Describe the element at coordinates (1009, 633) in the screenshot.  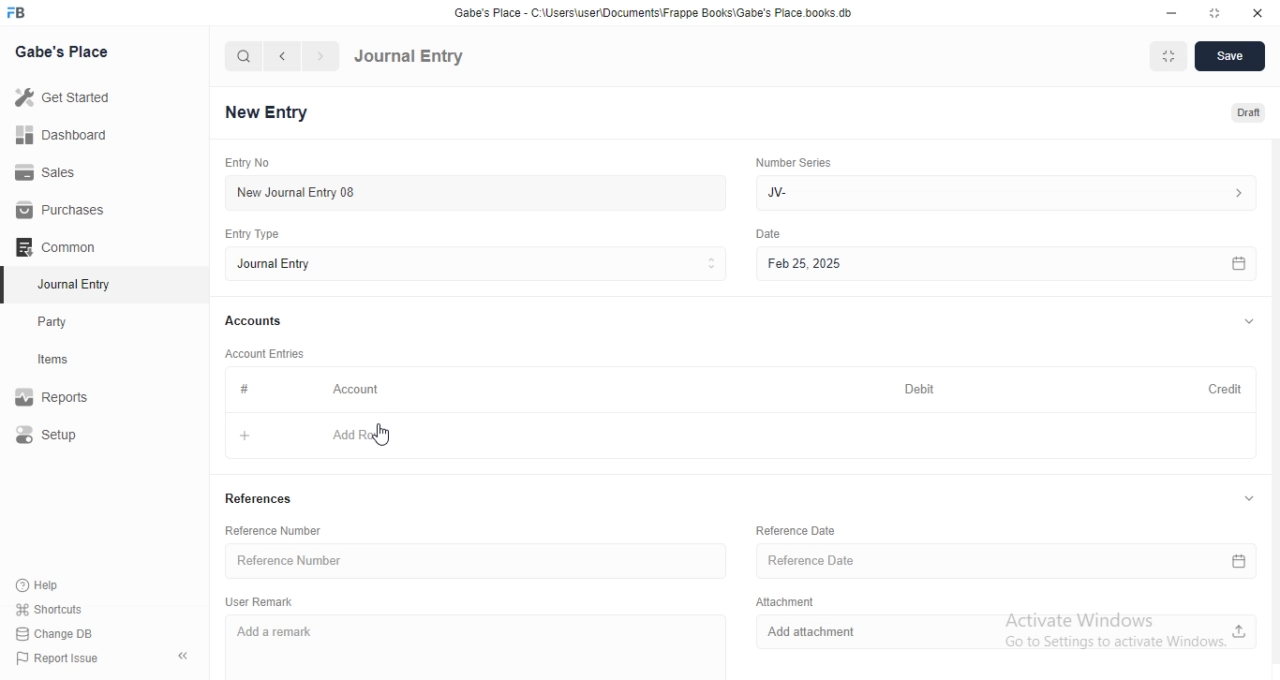
I see `Add attachment` at that location.